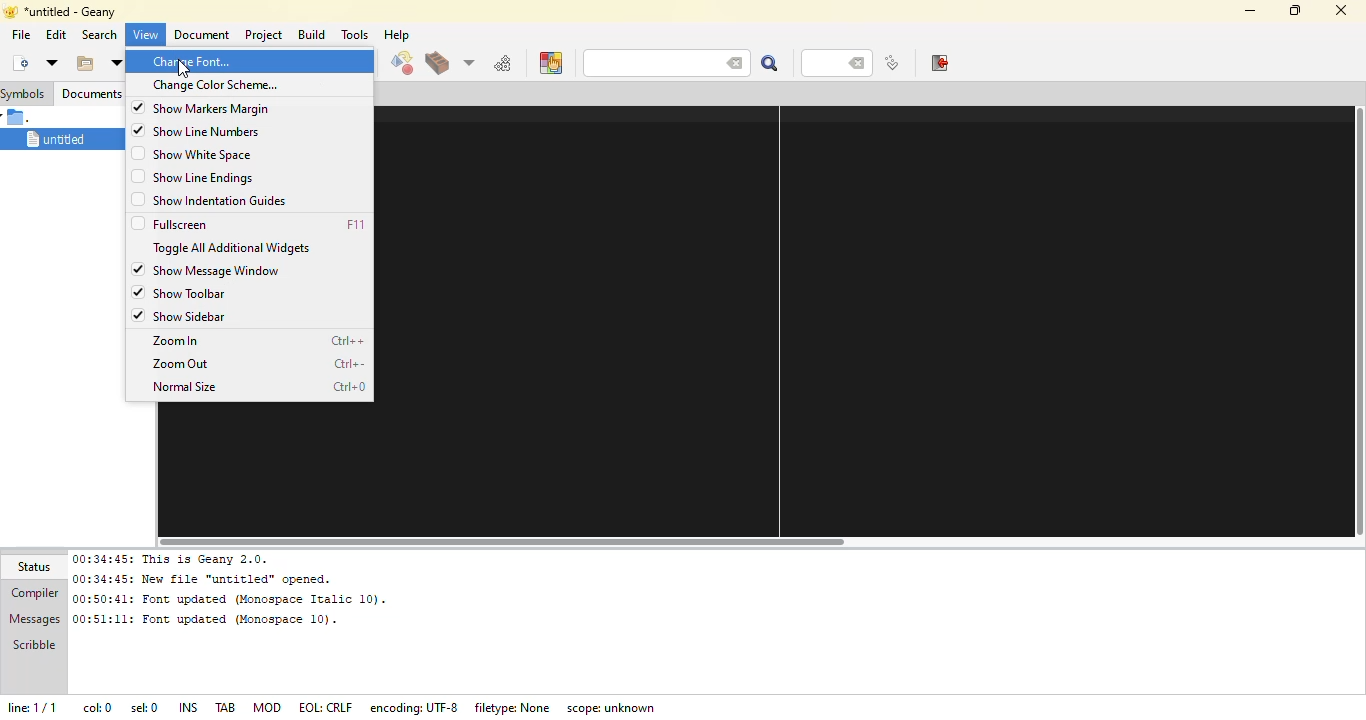 The image size is (1366, 720). I want to click on ctrl+-, so click(351, 364).